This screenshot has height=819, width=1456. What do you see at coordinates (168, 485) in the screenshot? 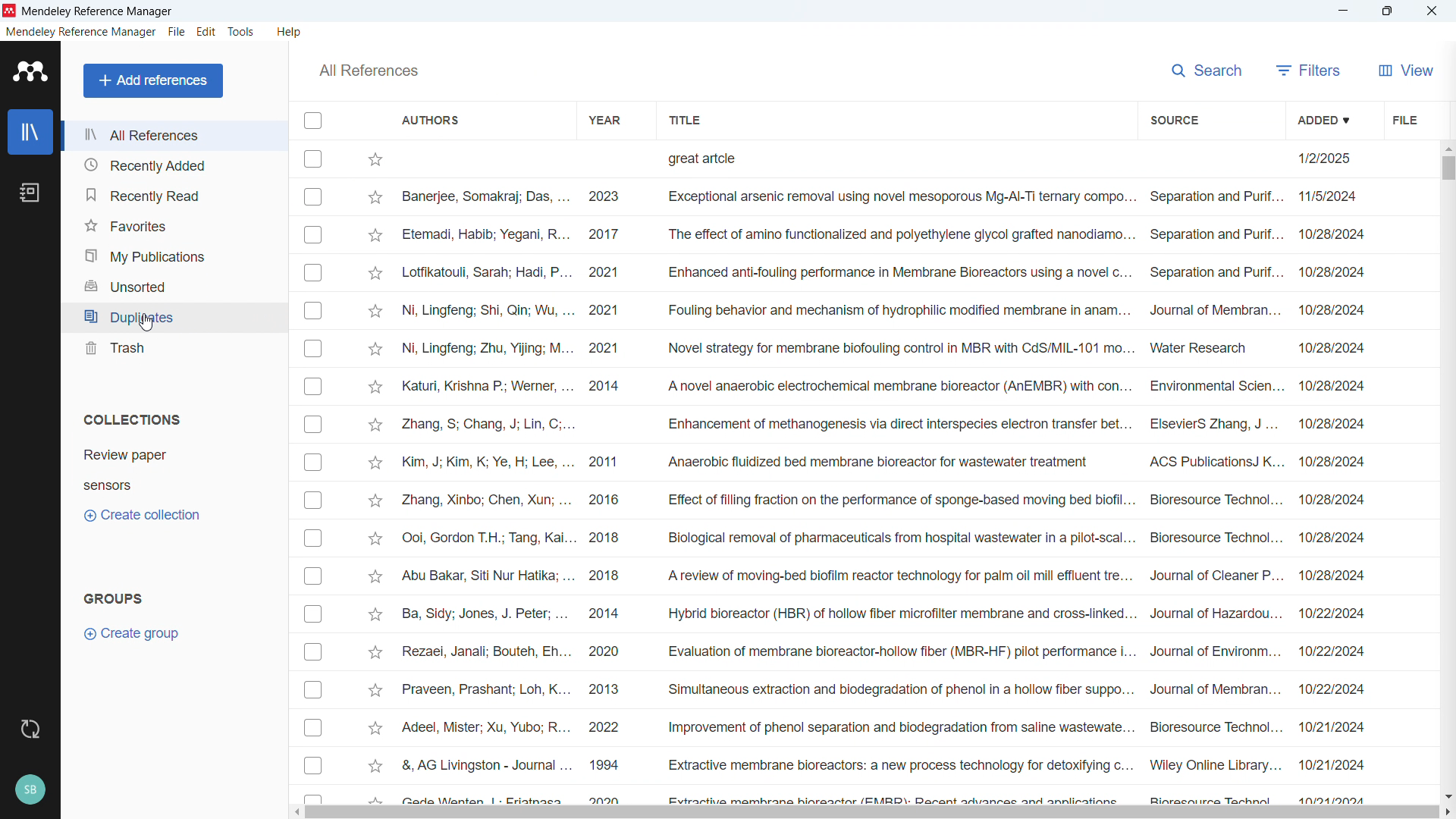
I see `Collection 2 ` at bounding box center [168, 485].